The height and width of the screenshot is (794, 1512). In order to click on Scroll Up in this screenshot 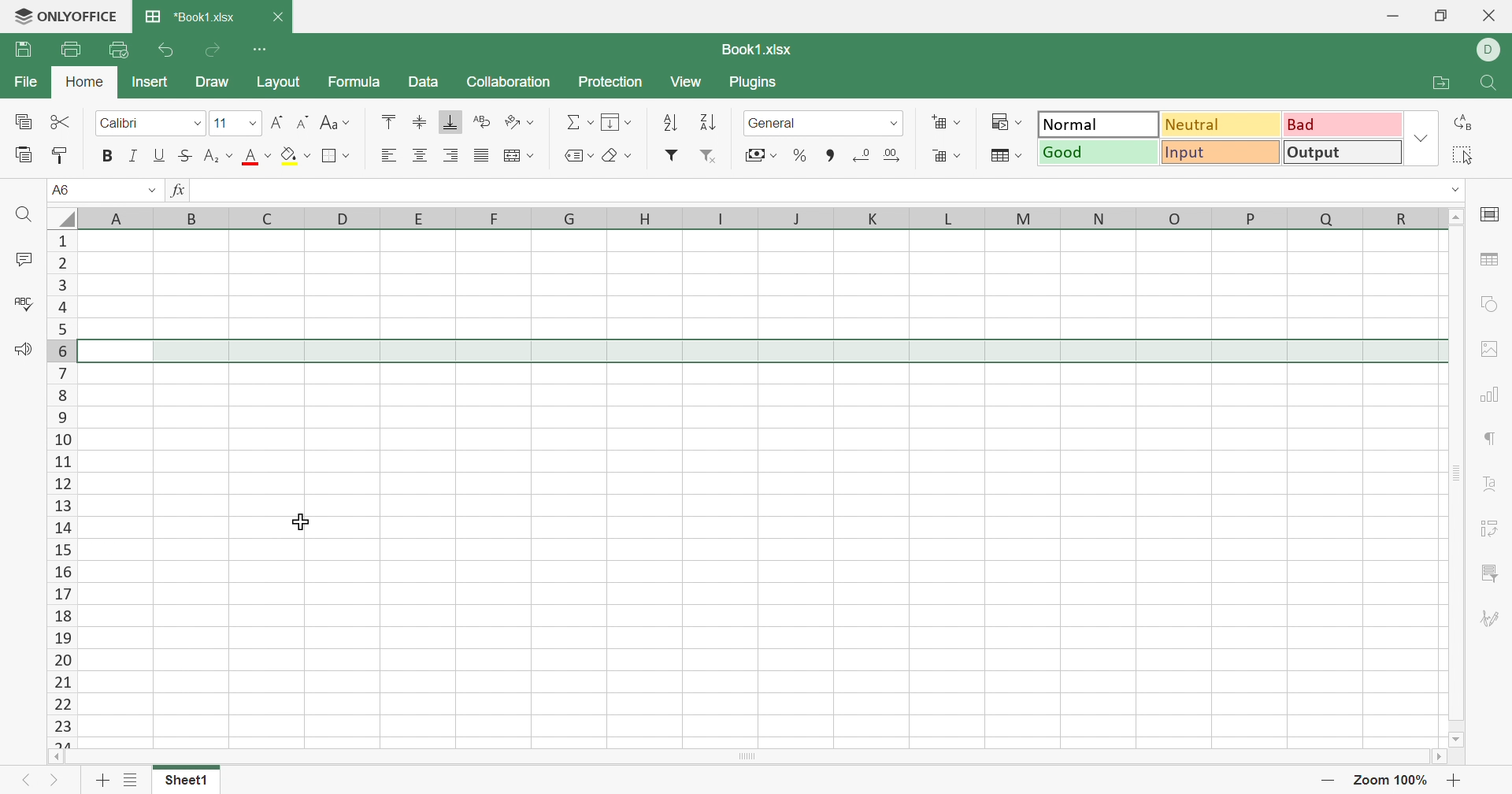, I will do `click(1454, 217)`.